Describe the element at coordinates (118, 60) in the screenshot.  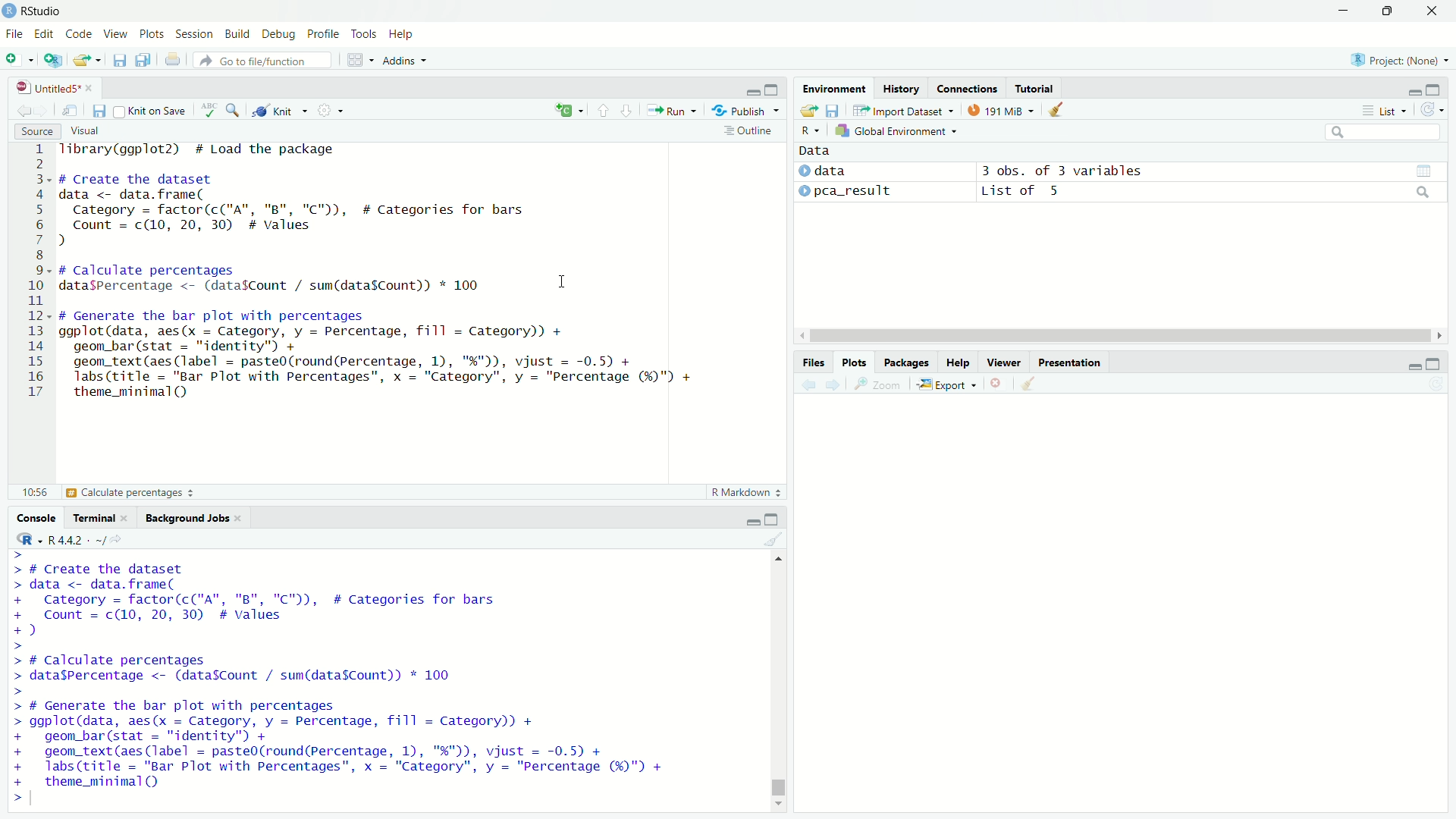
I see `save` at that location.